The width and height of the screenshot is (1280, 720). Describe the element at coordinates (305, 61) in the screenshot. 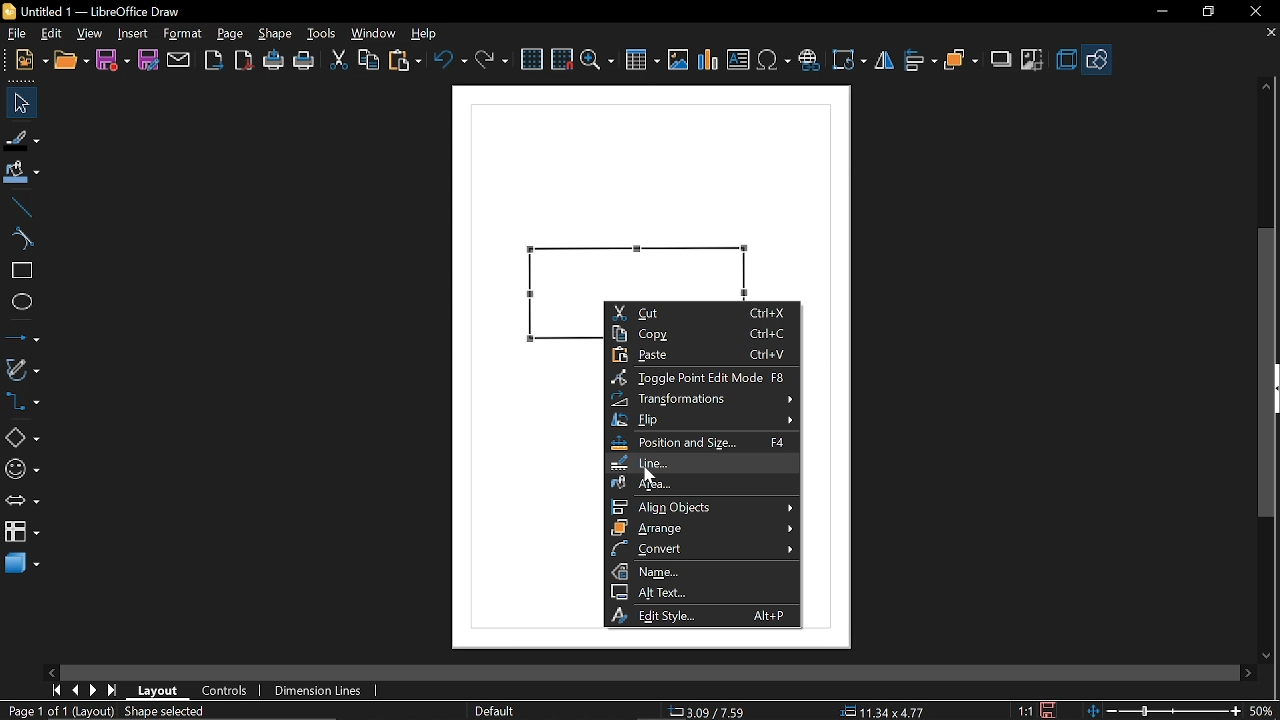

I see `Print` at that location.